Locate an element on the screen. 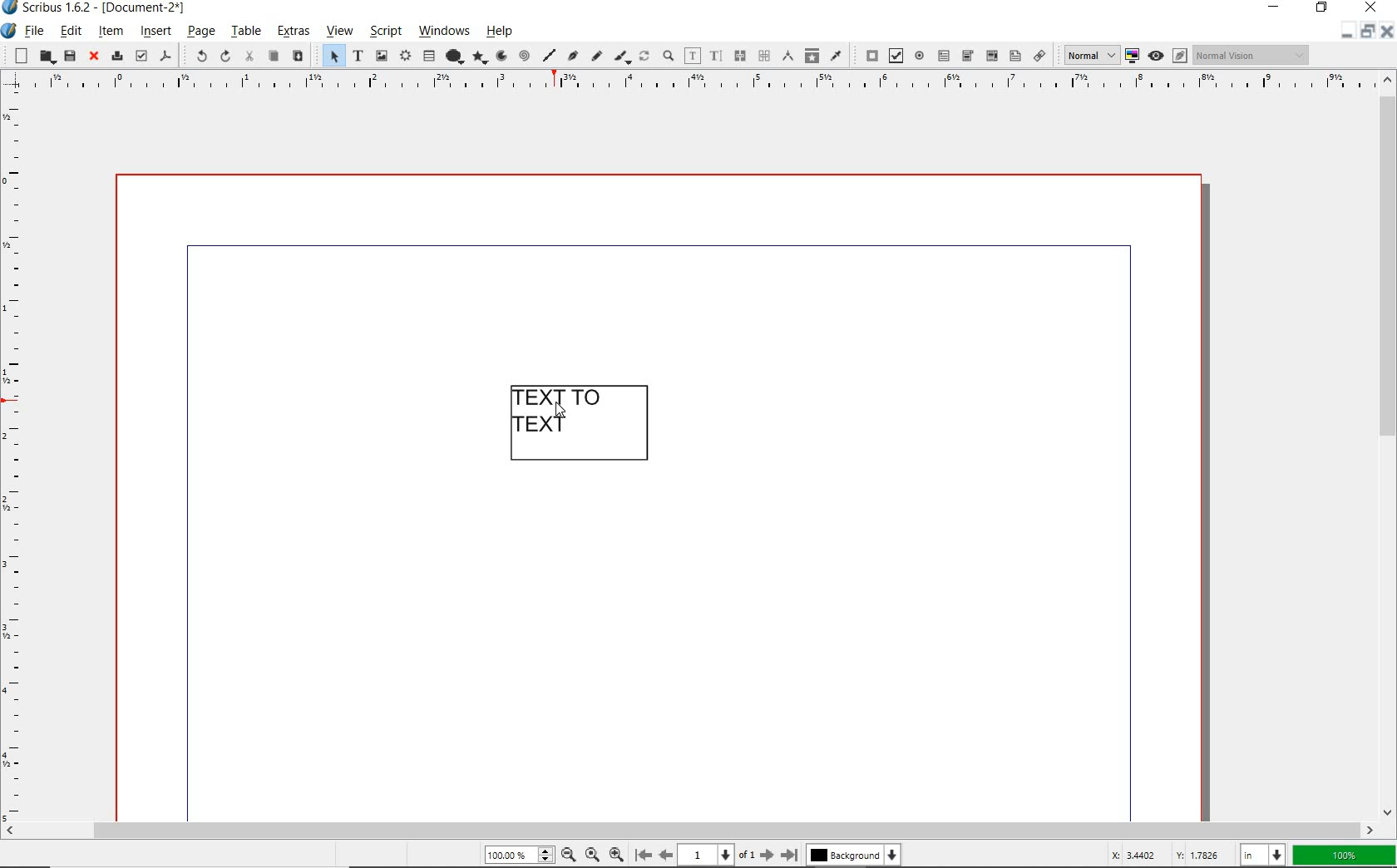  image frame is located at coordinates (383, 57).